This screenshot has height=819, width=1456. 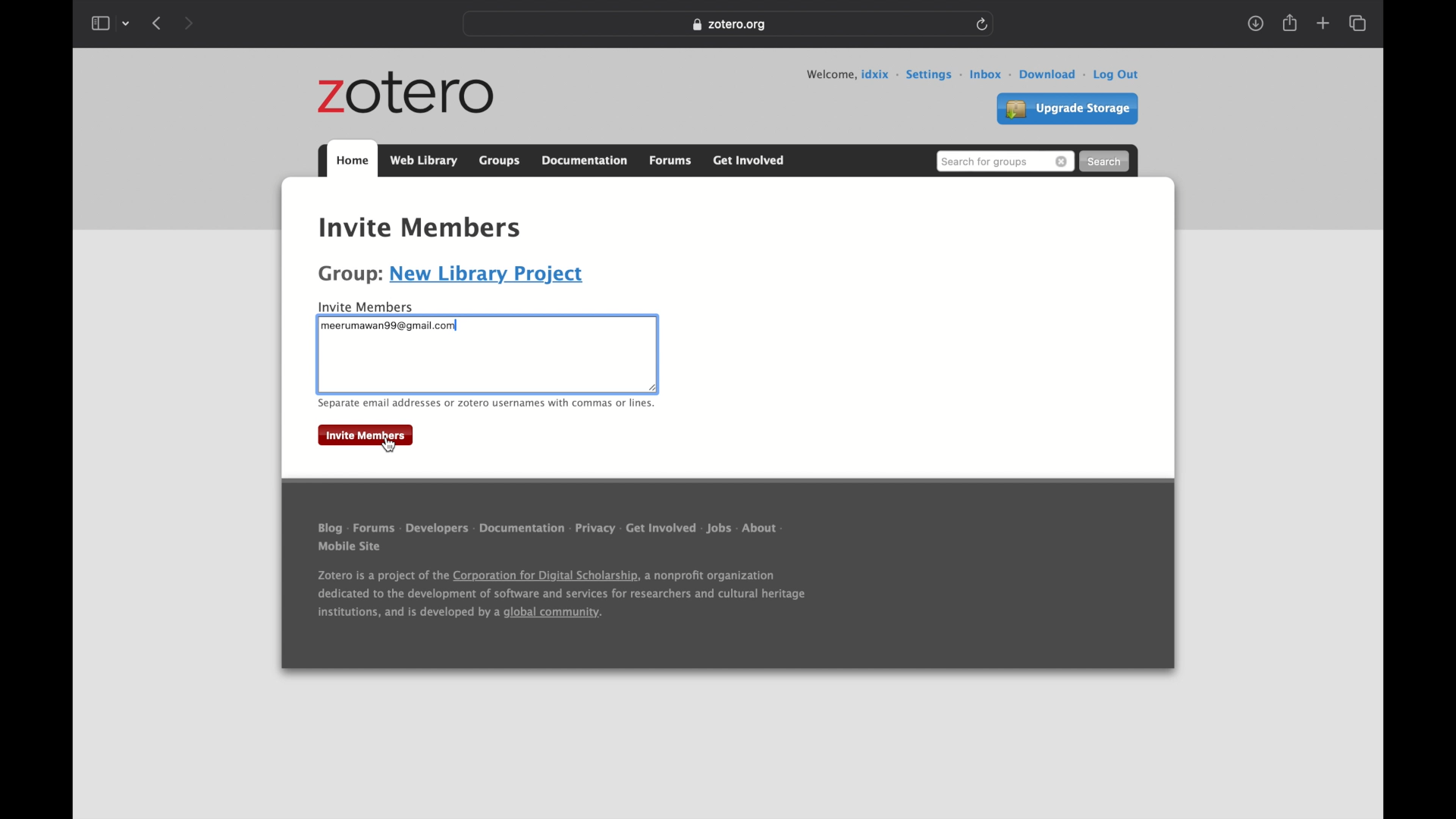 What do you see at coordinates (1323, 24) in the screenshot?
I see `new tab` at bounding box center [1323, 24].